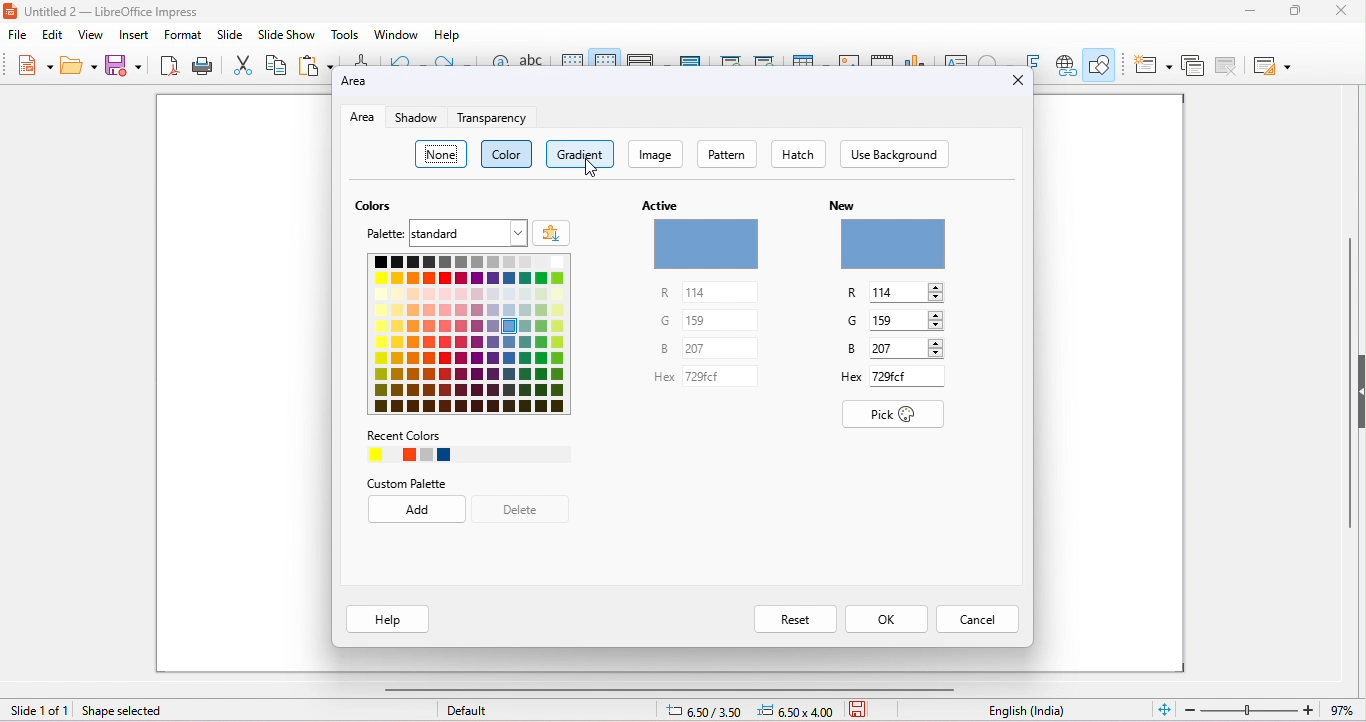  I want to click on display grid, so click(573, 58).